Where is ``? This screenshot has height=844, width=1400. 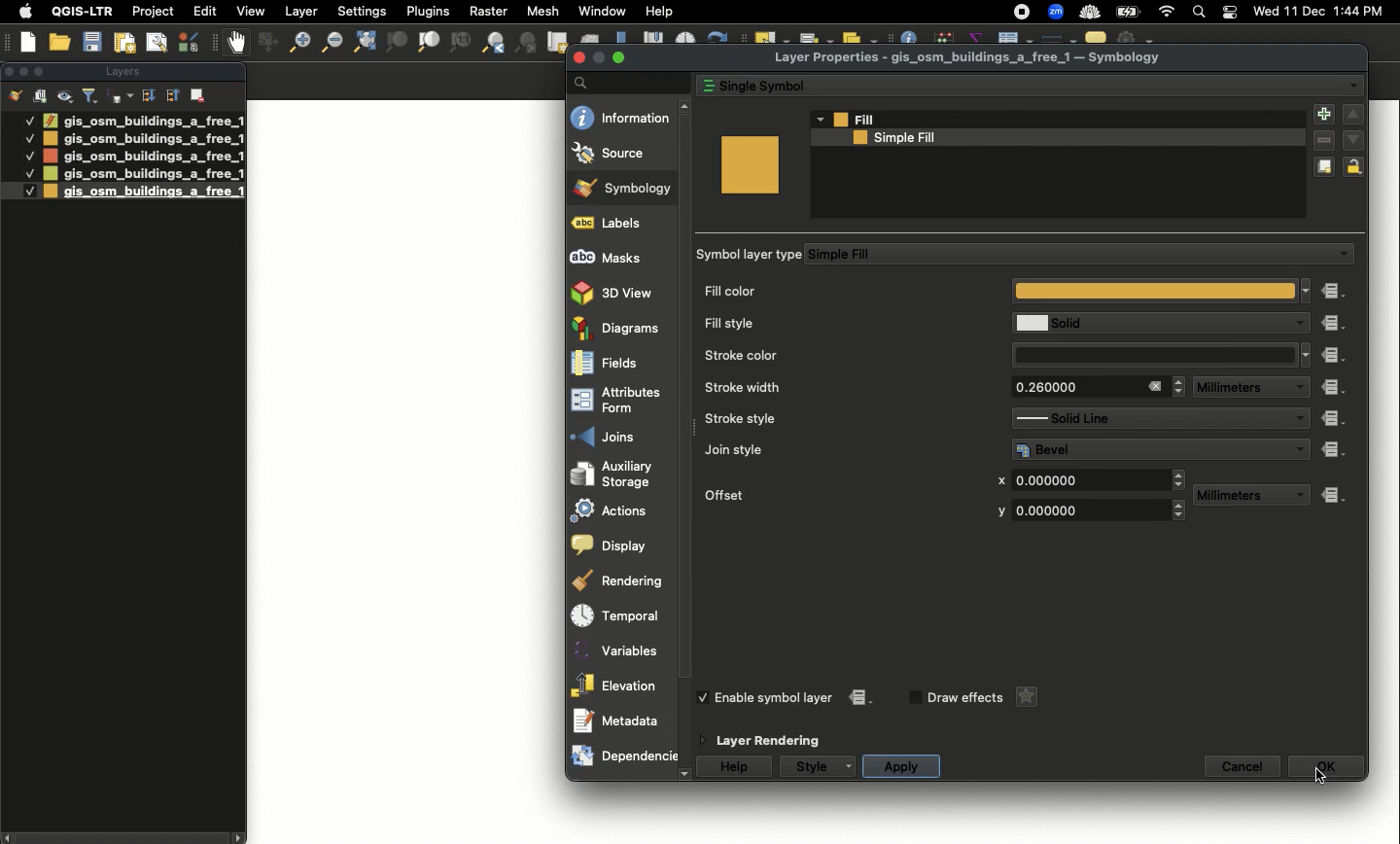  is located at coordinates (1337, 387).